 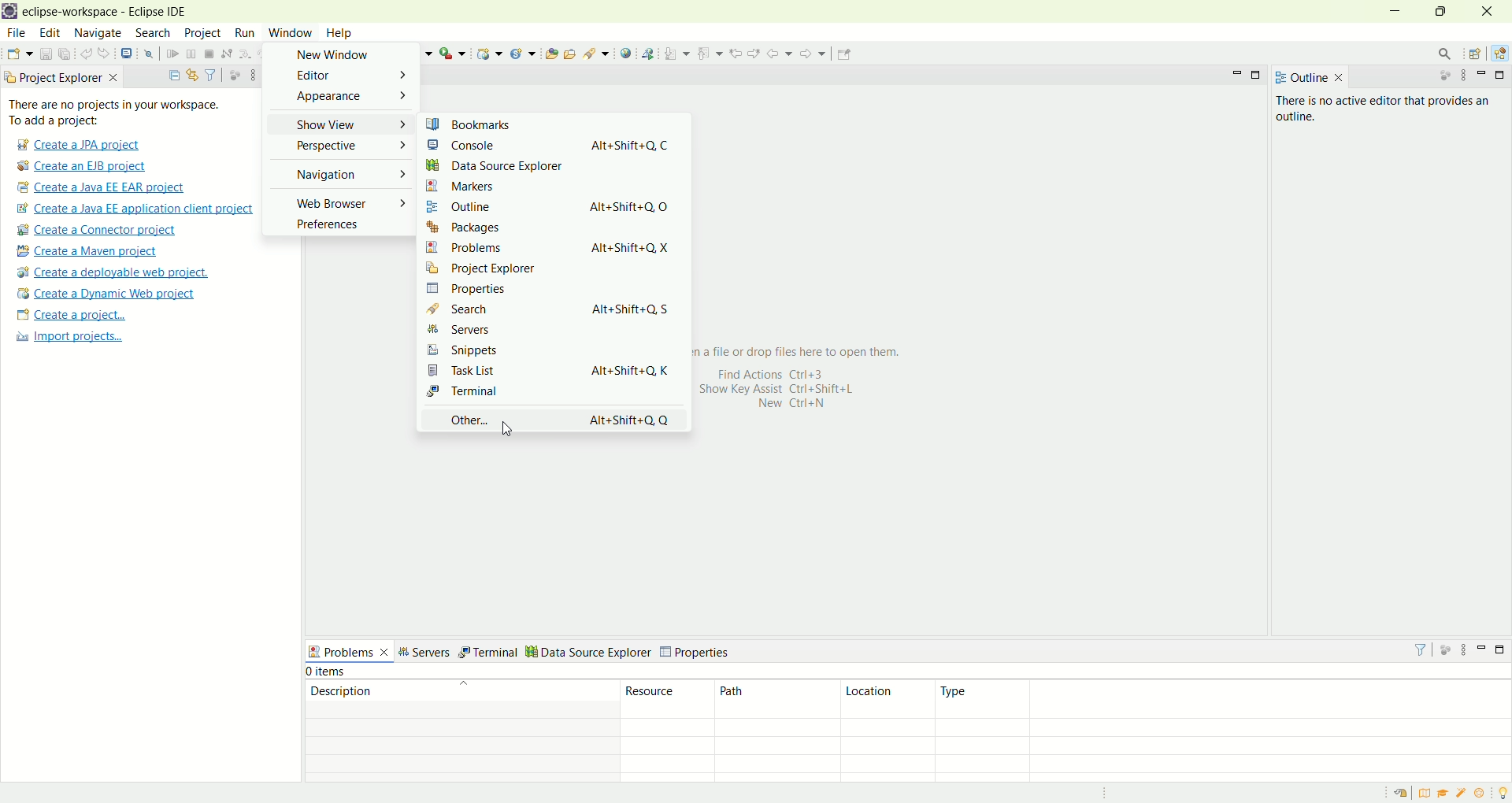 I want to click on problems, so click(x=347, y=650).